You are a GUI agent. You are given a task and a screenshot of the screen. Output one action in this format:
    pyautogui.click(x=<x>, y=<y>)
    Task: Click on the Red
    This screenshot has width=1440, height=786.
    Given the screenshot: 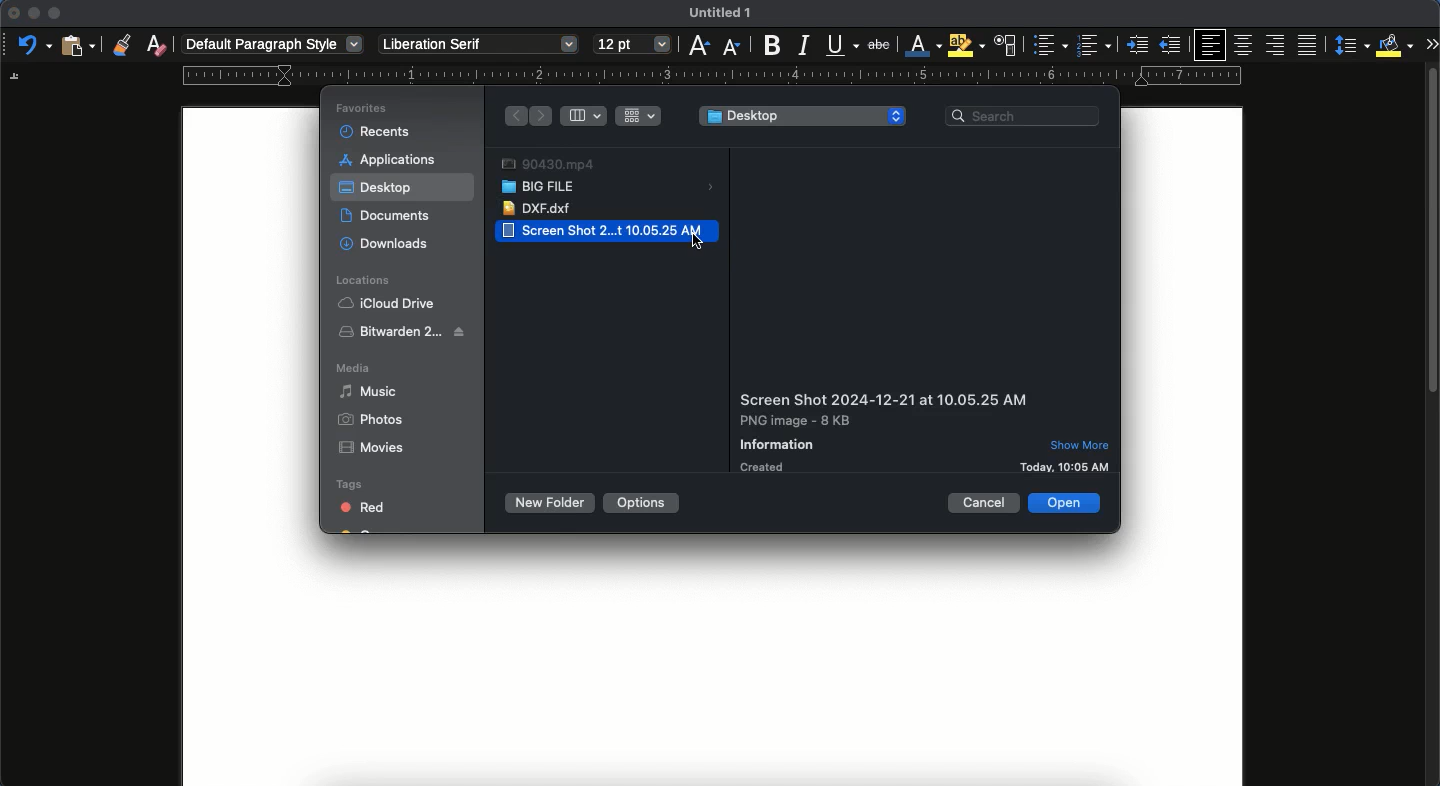 What is the action you would take?
    pyautogui.click(x=357, y=507)
    